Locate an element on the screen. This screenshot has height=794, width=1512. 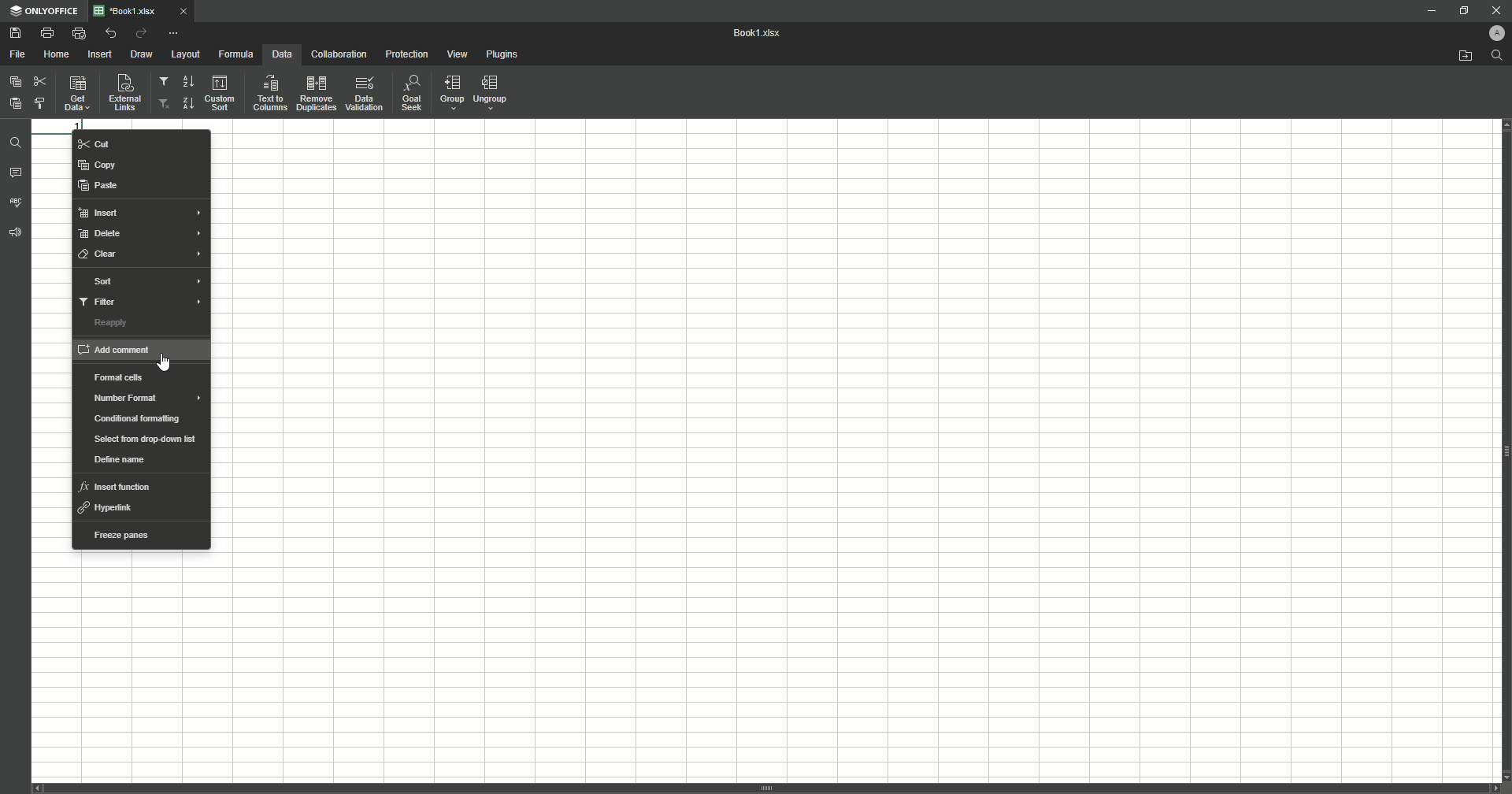
Spell Check is located at coordinates (17, 202).